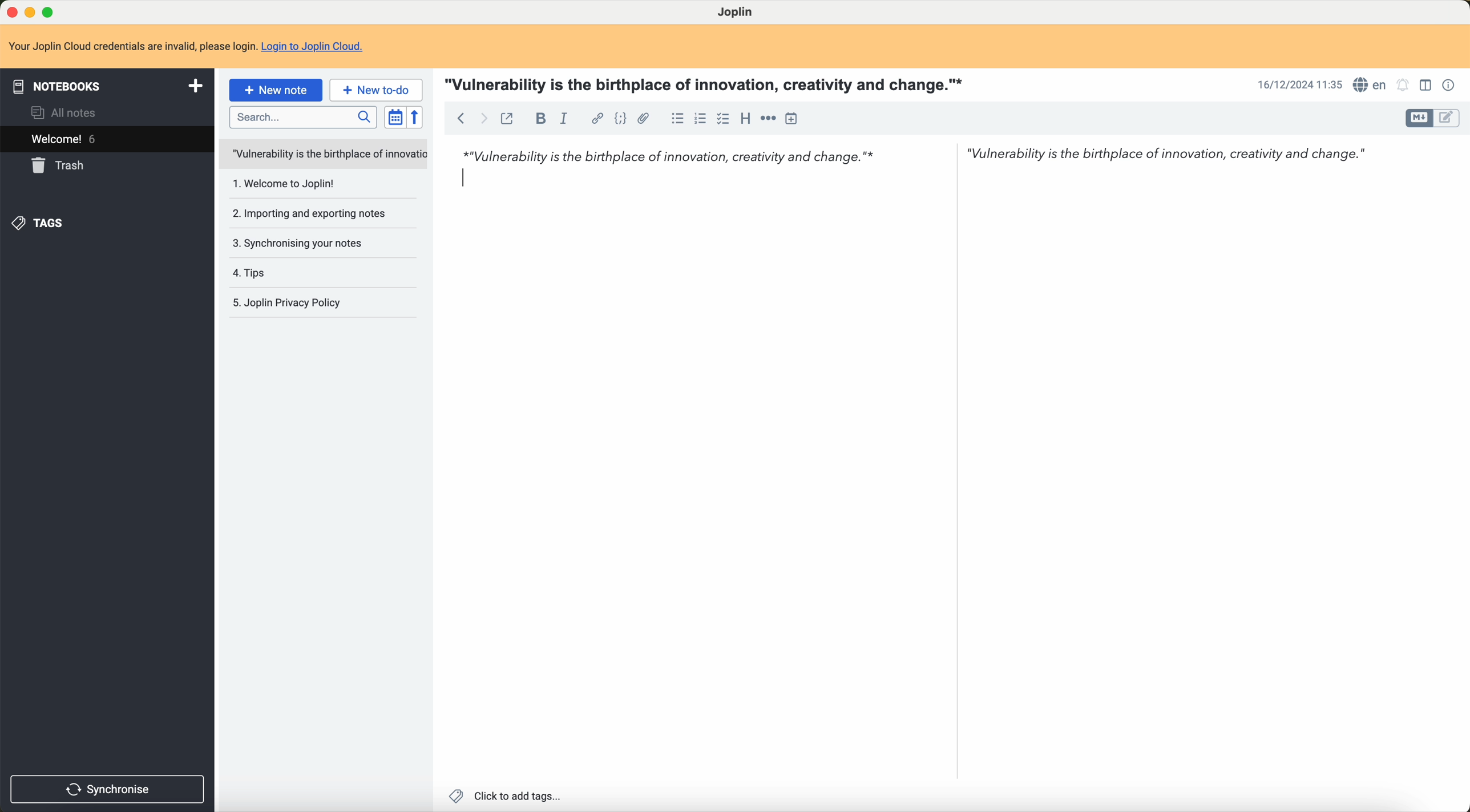  What do you see at coordinates (506, 795) in the screenshot?
I see `click to add tags` at bounding box center [506, 795].